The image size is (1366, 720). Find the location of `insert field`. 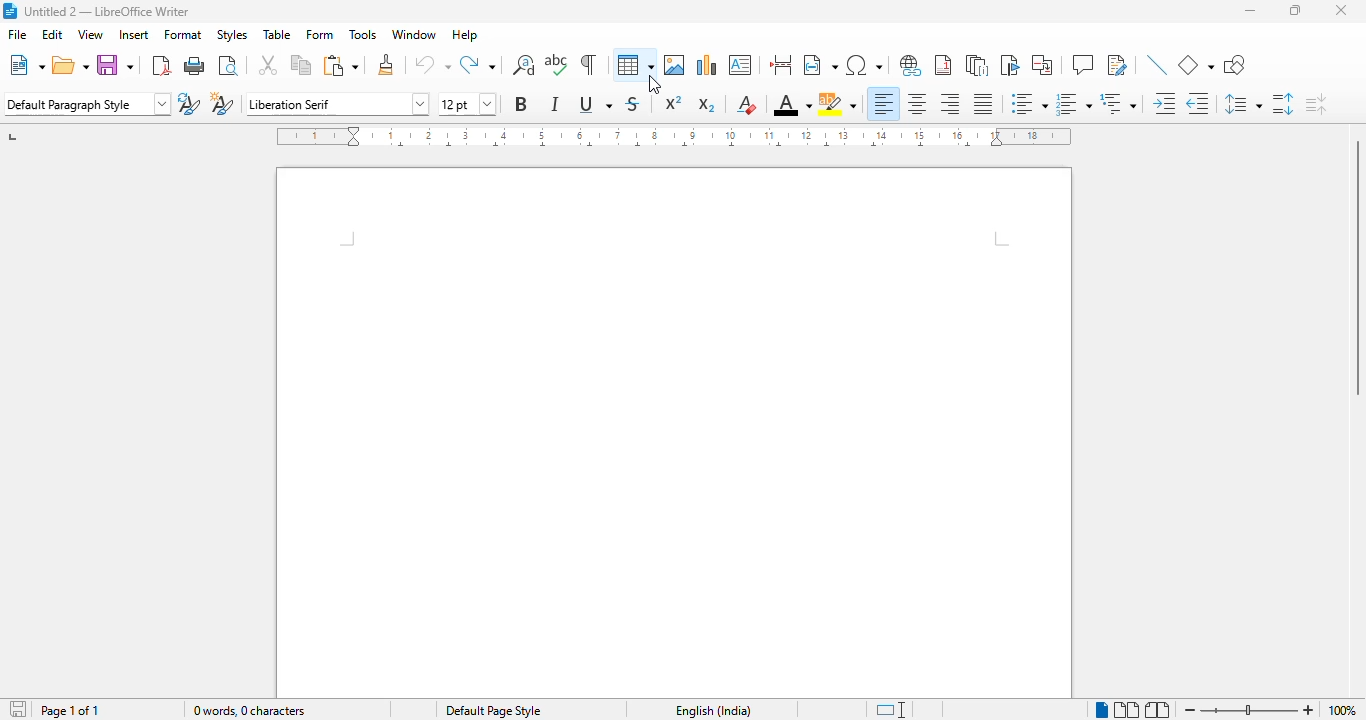

insert field is located at coordinates (820, 63).